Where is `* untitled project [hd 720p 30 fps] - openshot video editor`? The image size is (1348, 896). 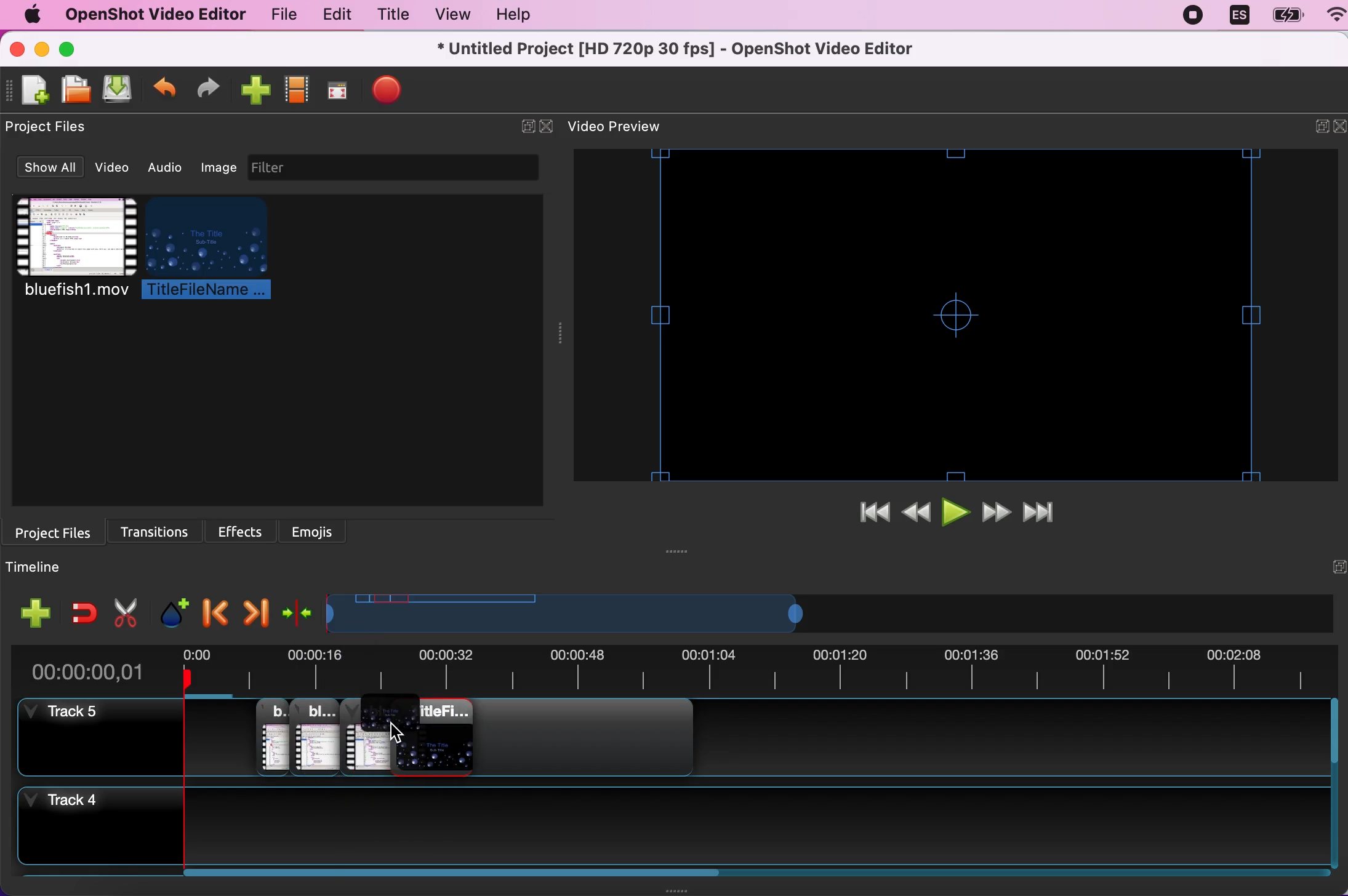 * untitled project [hd 720p 30 fps] - openshot video editor is located at coordinates (706, 49).